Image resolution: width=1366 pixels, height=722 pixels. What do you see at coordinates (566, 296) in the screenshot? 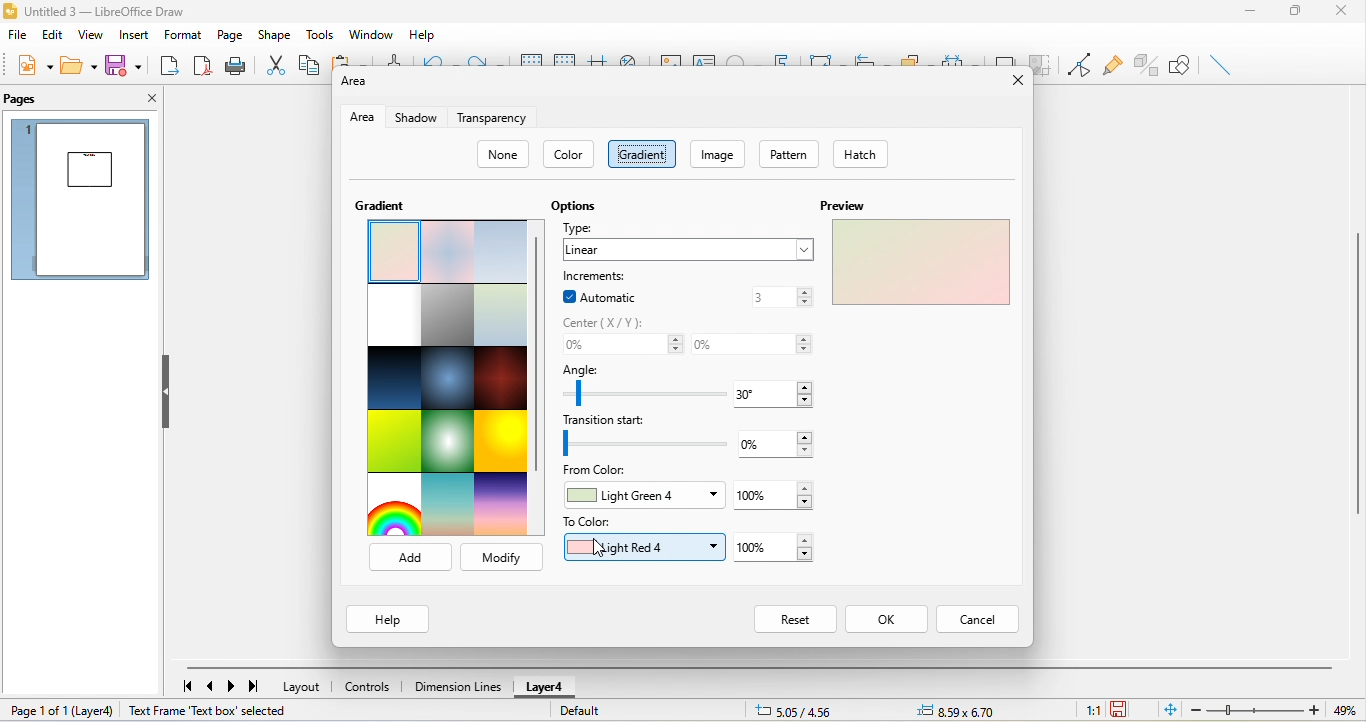
I see `enable checkbox` at bounding box center [566, 296].